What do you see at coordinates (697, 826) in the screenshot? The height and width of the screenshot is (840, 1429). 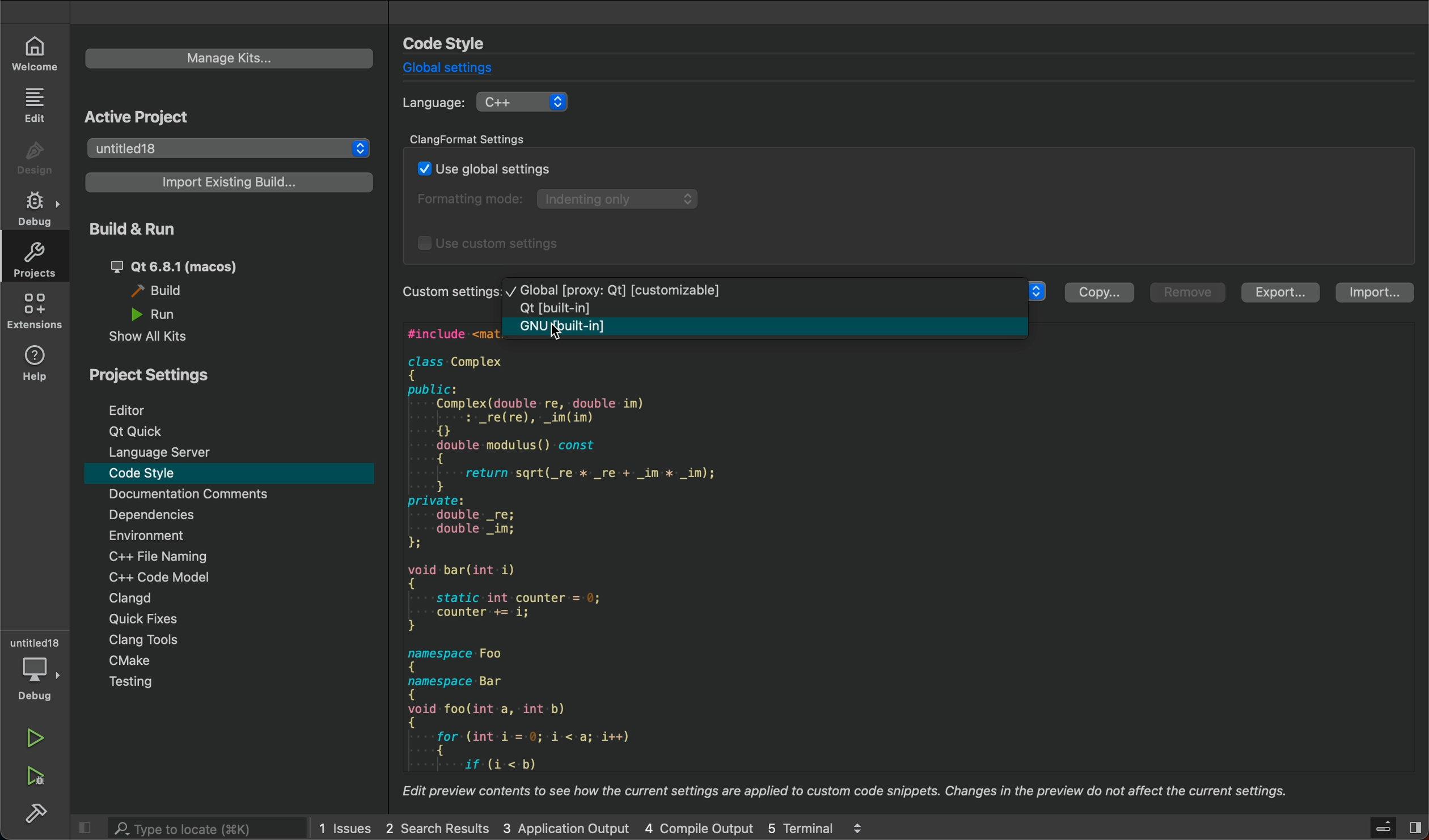 I see `4 Compile Output` at bounding box center [697, 826].